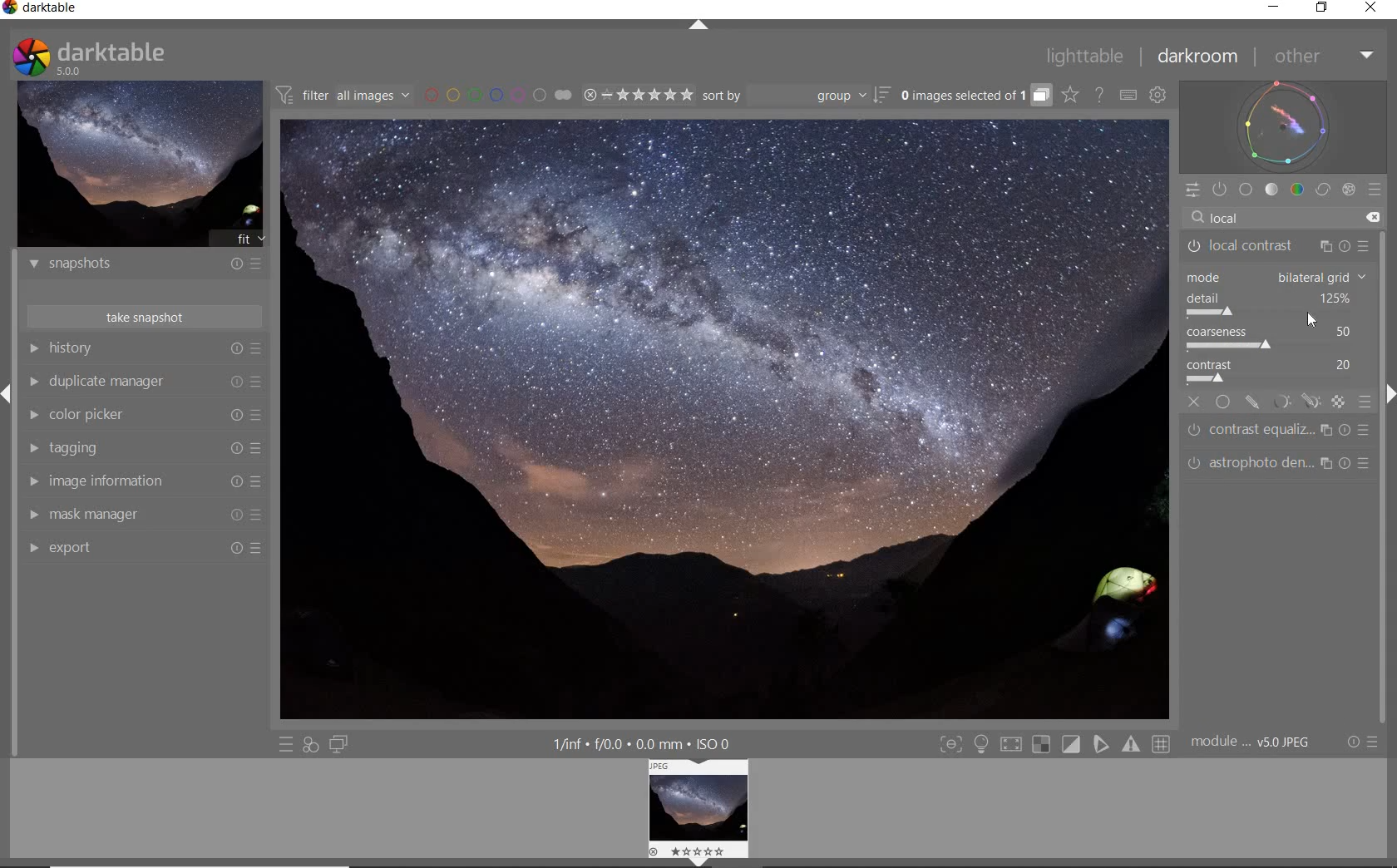 This screenshot has width=1397, height=868. What do you see at coordinates (146, 318) in the screenshot?
I see `TAKE SNAPSHOTS` at bounding box center [146, 318].